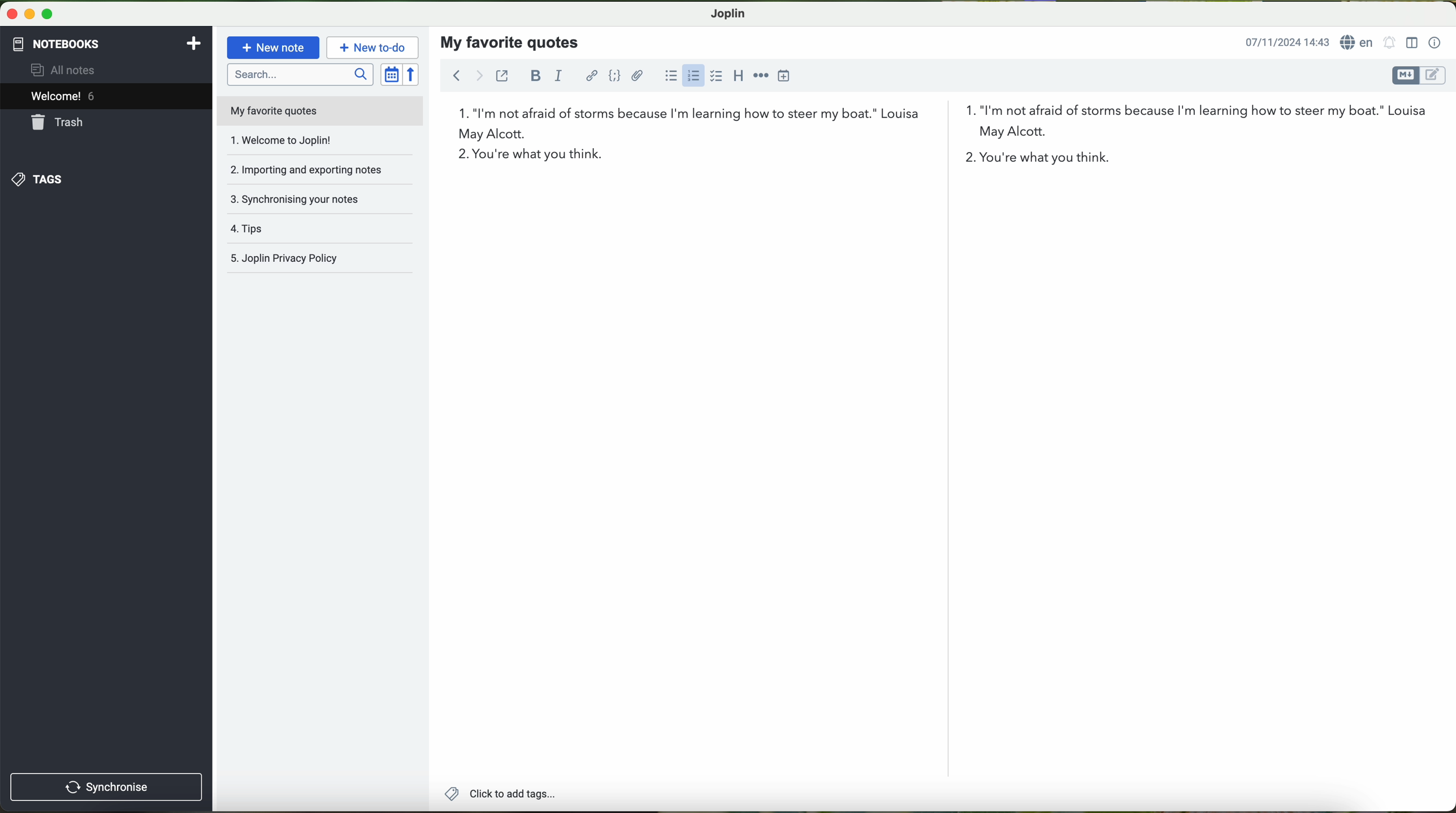 Image resolution: width=1456 pixels, height=813 pixels. What do you see at coordinates (942, 123) in the screenshot?
I see `first quote` at bounding box center [942, 123].